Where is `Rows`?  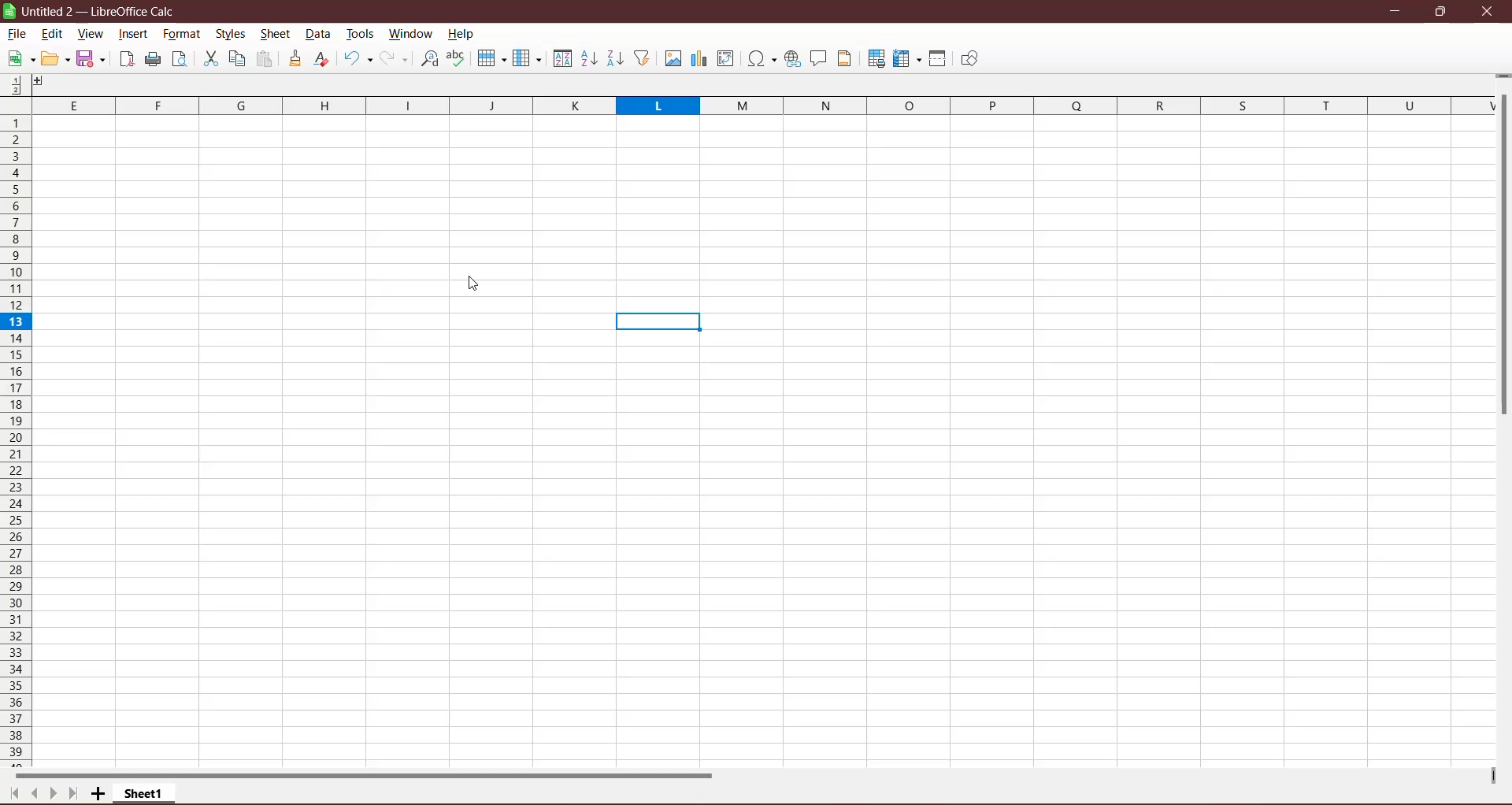
Rows is located at coordinates (490, 60).